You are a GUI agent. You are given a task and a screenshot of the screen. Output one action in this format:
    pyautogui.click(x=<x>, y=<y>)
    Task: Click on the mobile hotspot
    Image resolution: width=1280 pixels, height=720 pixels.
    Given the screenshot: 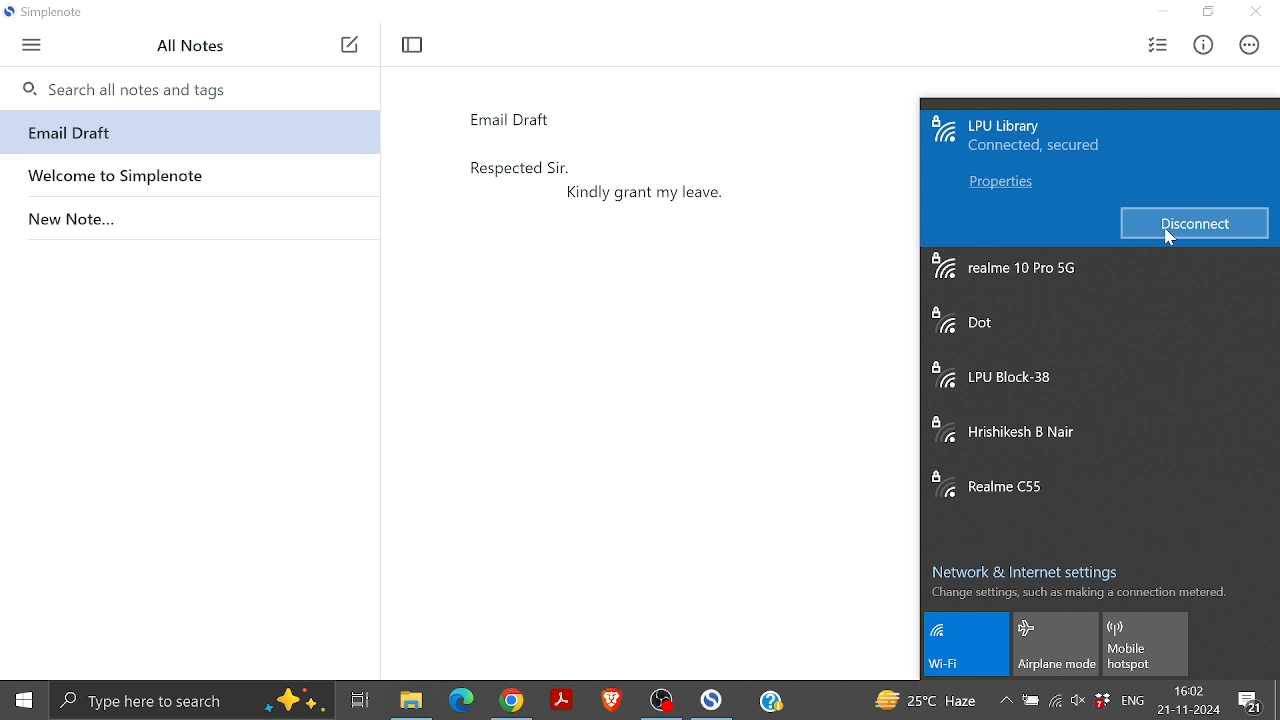 What is the action you would take?
    pyautogui.click(x=1145, y=645)
    